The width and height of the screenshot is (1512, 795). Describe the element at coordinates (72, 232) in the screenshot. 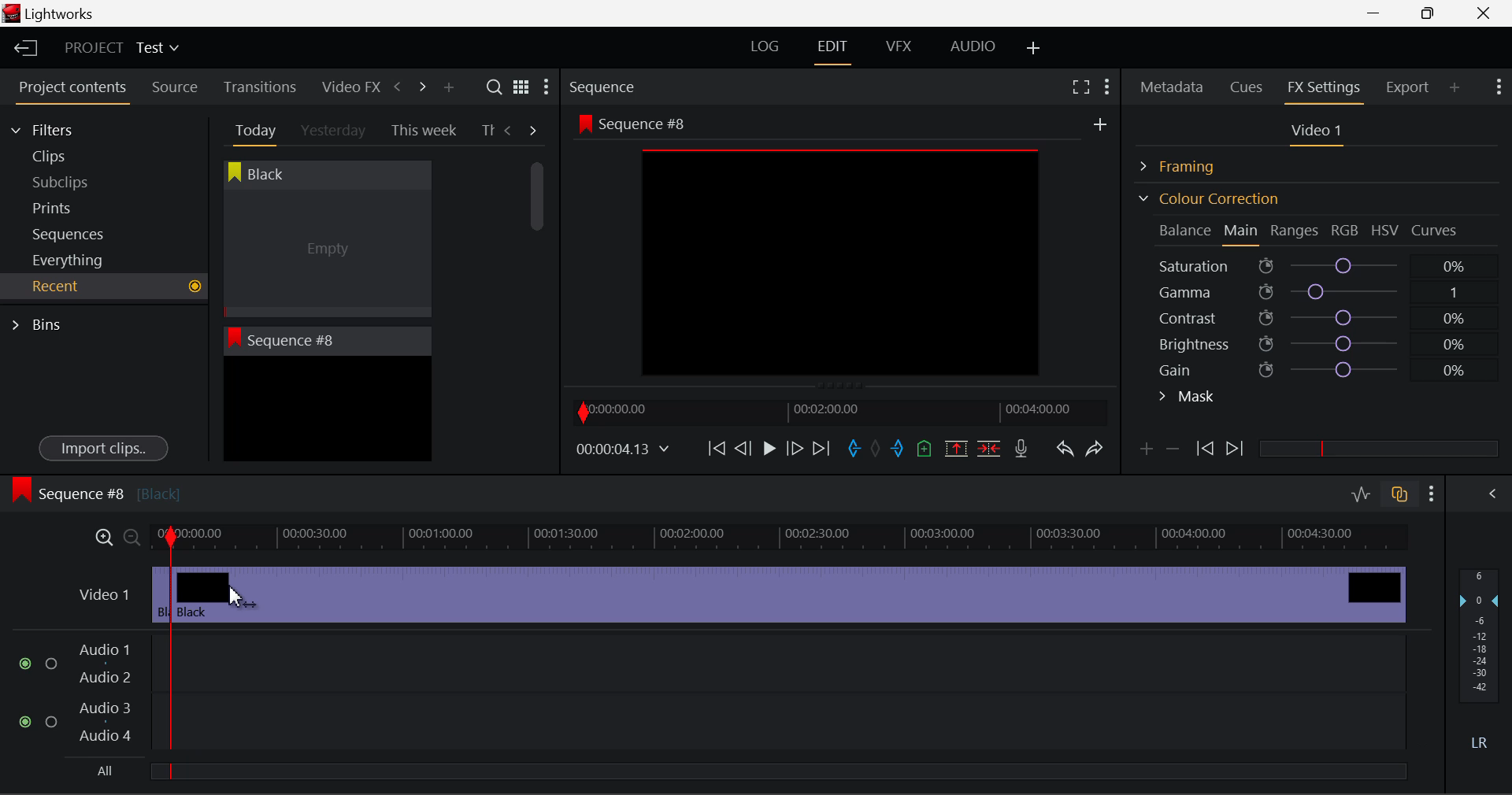

I see `Sequences` at that location.